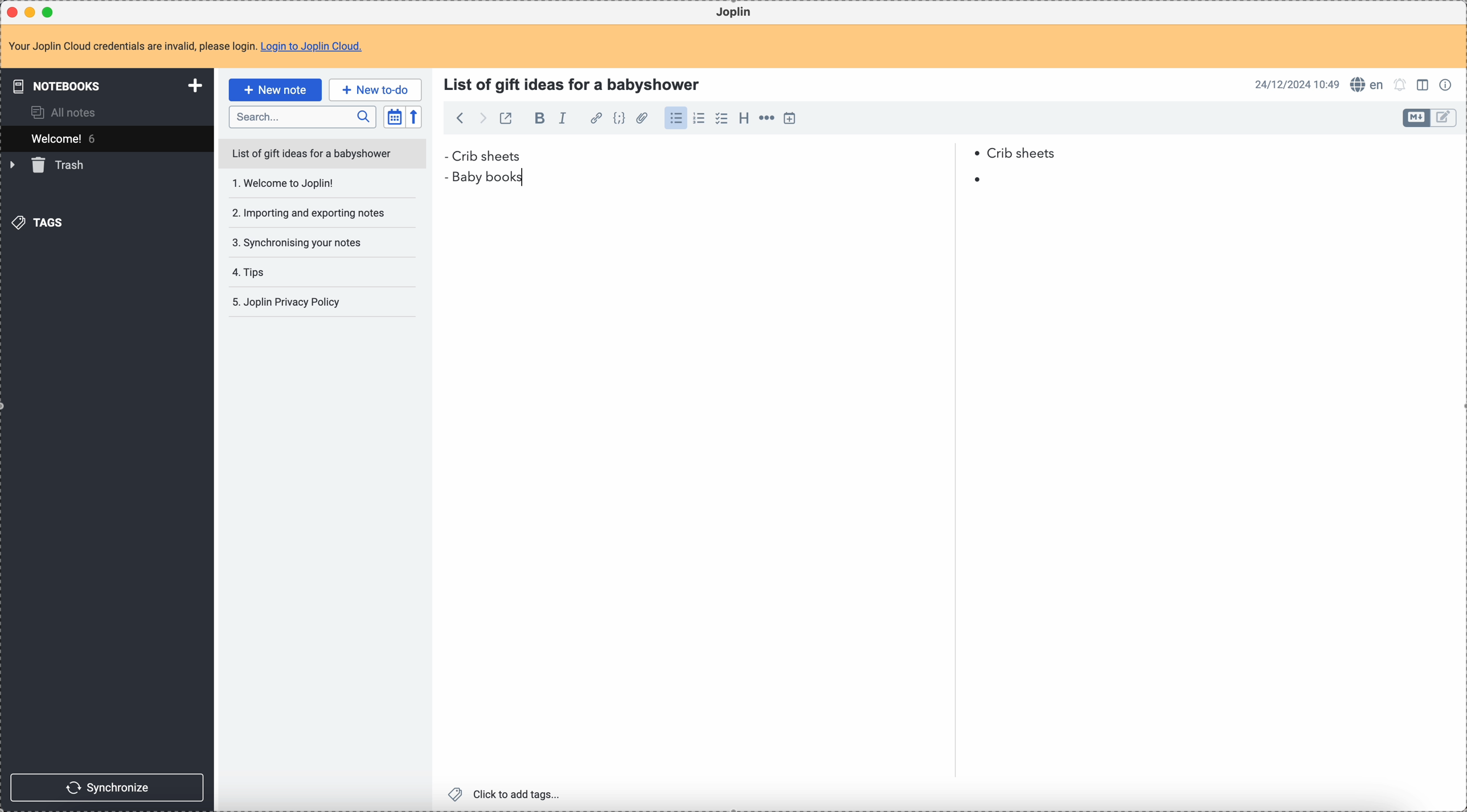 The image size is (1467, 812). What do you see at coordinates (11, 12) in the screenshot?
I see `close Joplin` at bounding box center [11, 12].